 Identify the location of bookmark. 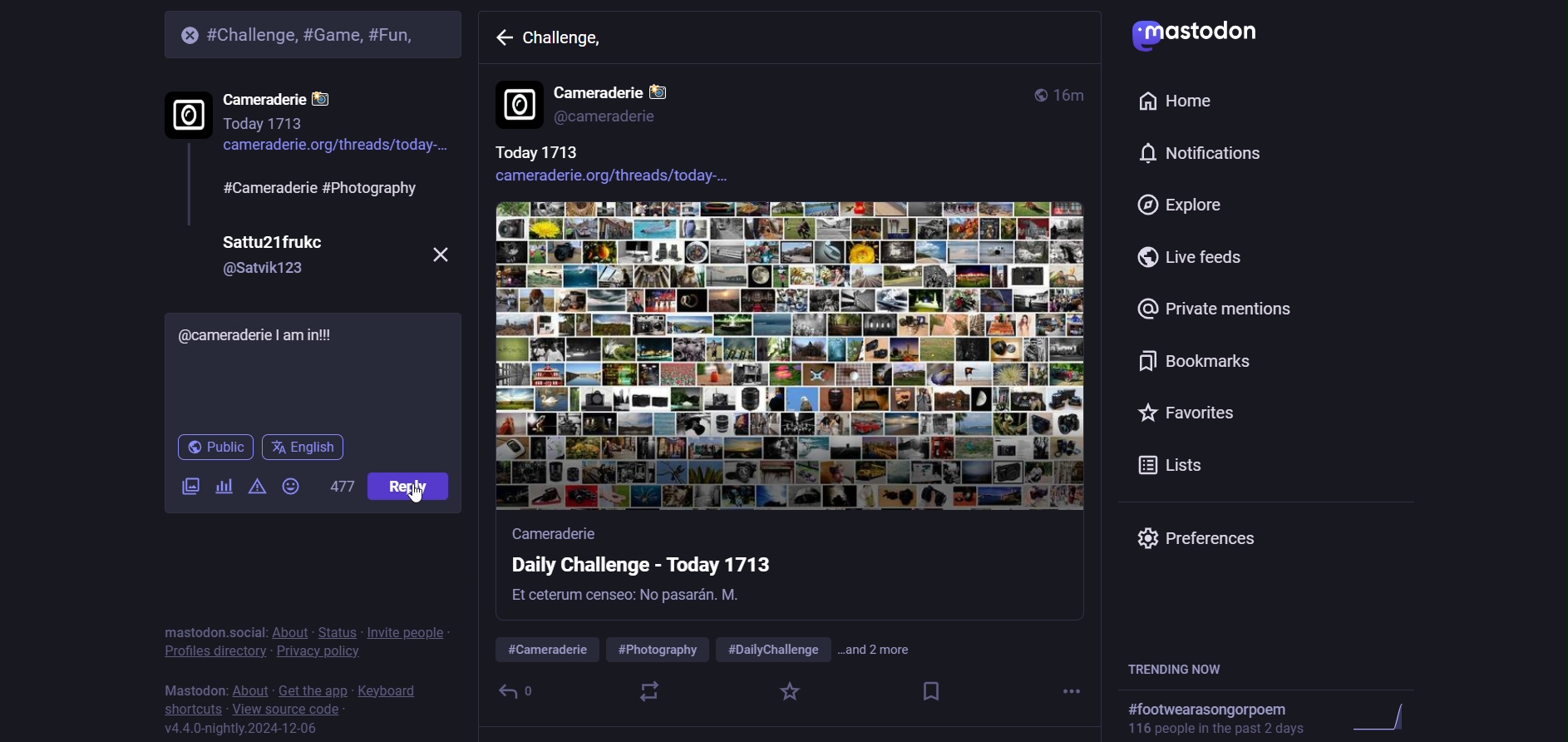
(1193, 362).